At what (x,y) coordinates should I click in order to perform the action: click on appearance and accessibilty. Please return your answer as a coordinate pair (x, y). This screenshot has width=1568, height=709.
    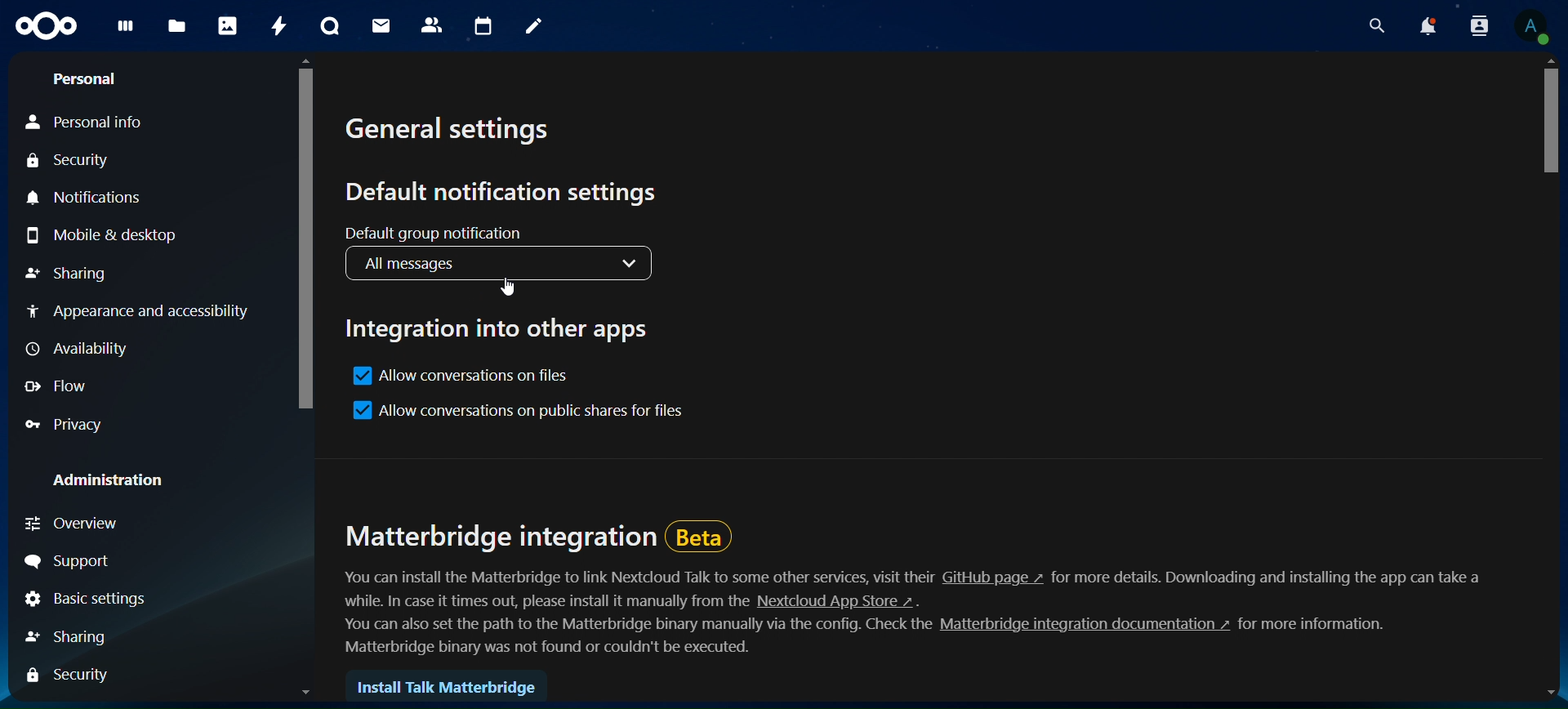
    Looking at the image, I should click on (140, 314).